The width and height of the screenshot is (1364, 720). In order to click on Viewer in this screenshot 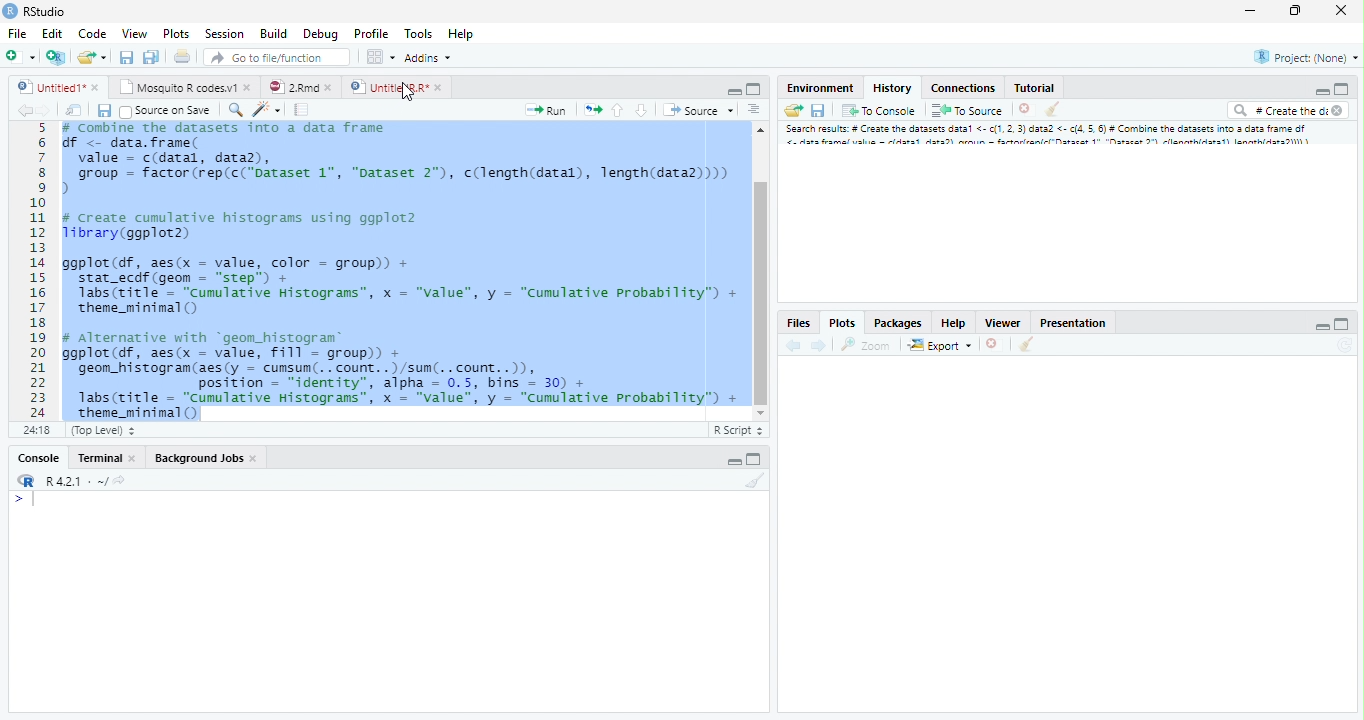, I will do `click(1002, 323)`.